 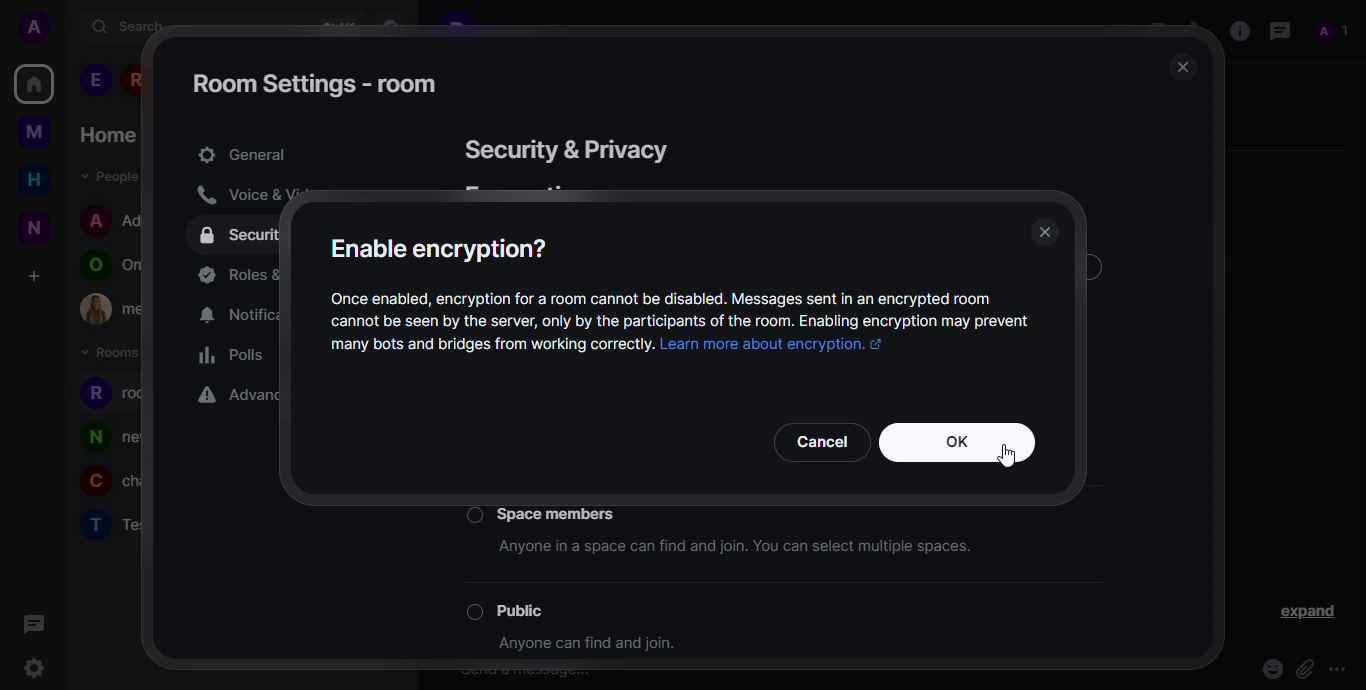 What do you see at coordinates (91, 266) in the screenshot?
I see `profile` at bounding box center [91, 266].